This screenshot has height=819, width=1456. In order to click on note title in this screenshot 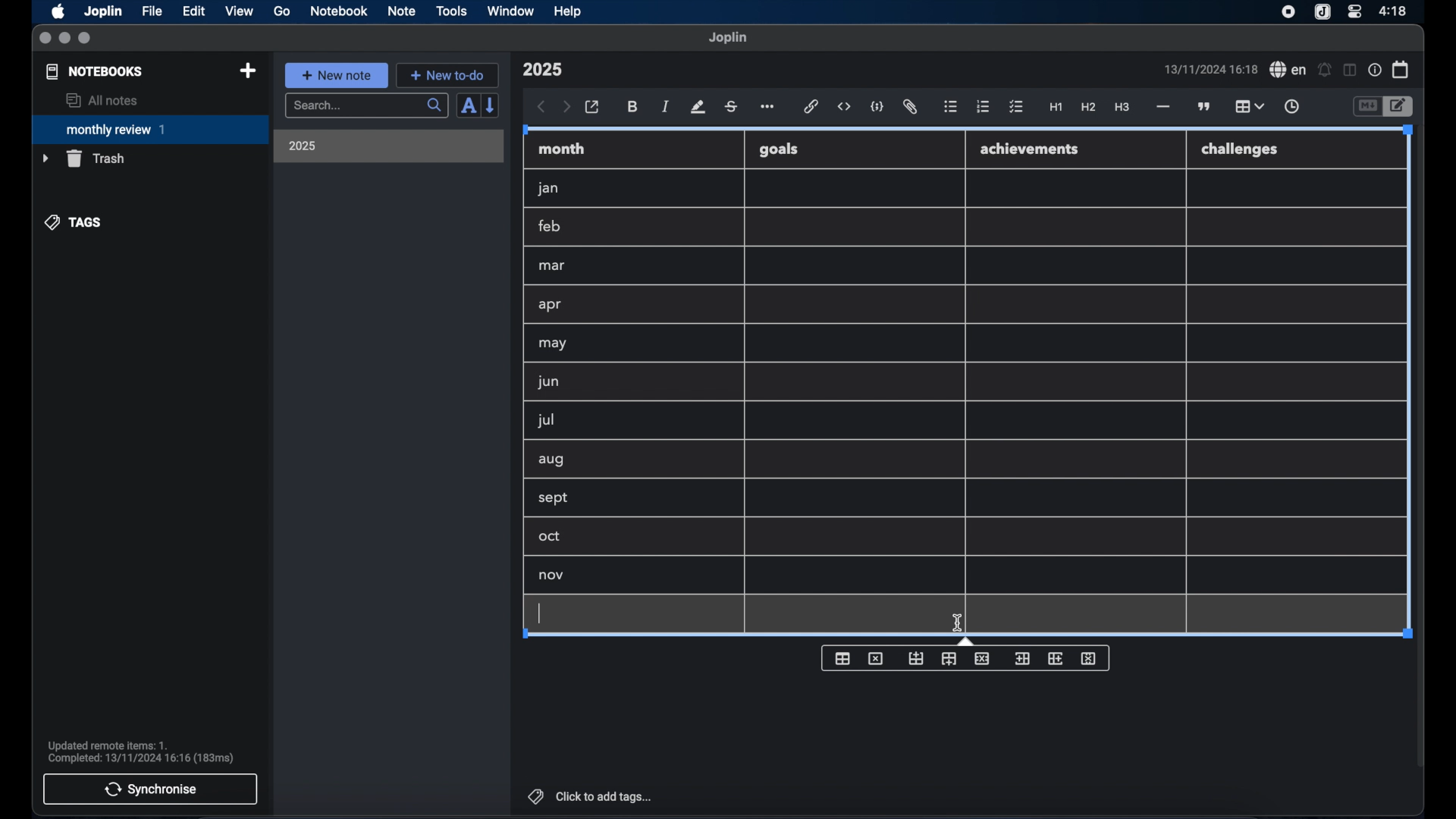, I will do `click(542, 70)`.